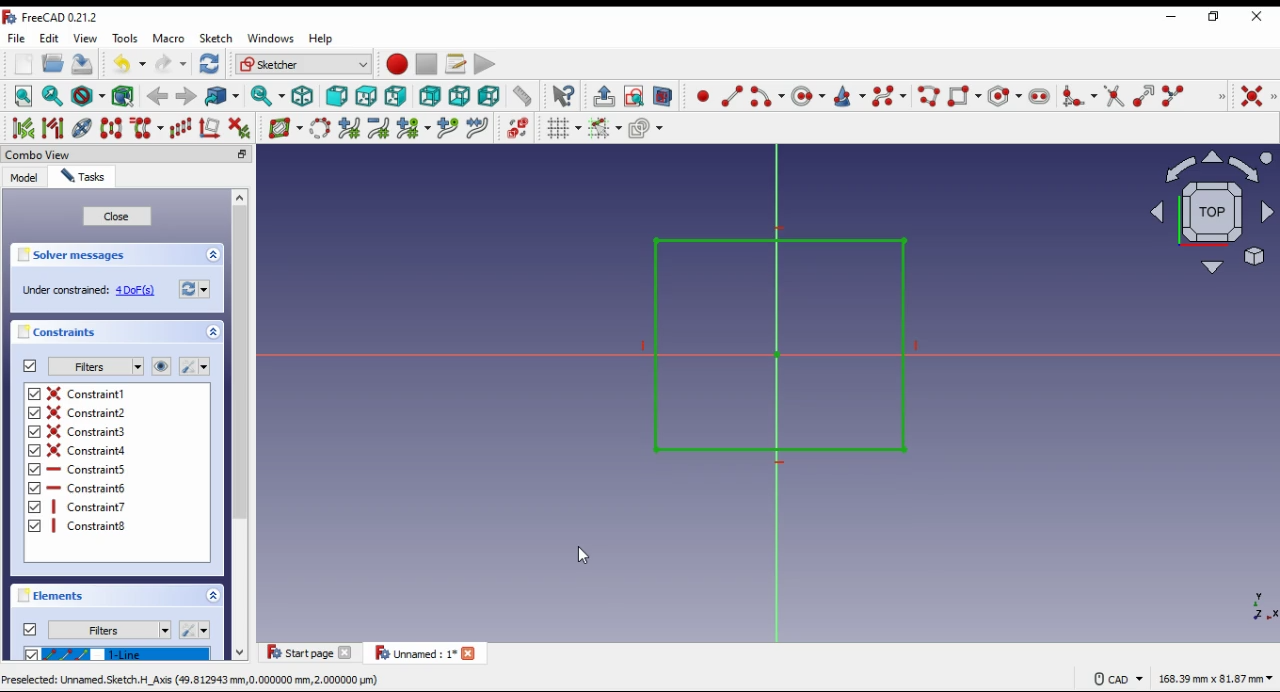 Image resolution: width=1280 pixels, height=692 pixels. What do you see at coordinates (23, 64) in the screenshot?
I see `new` at bounding box center [23, 64].